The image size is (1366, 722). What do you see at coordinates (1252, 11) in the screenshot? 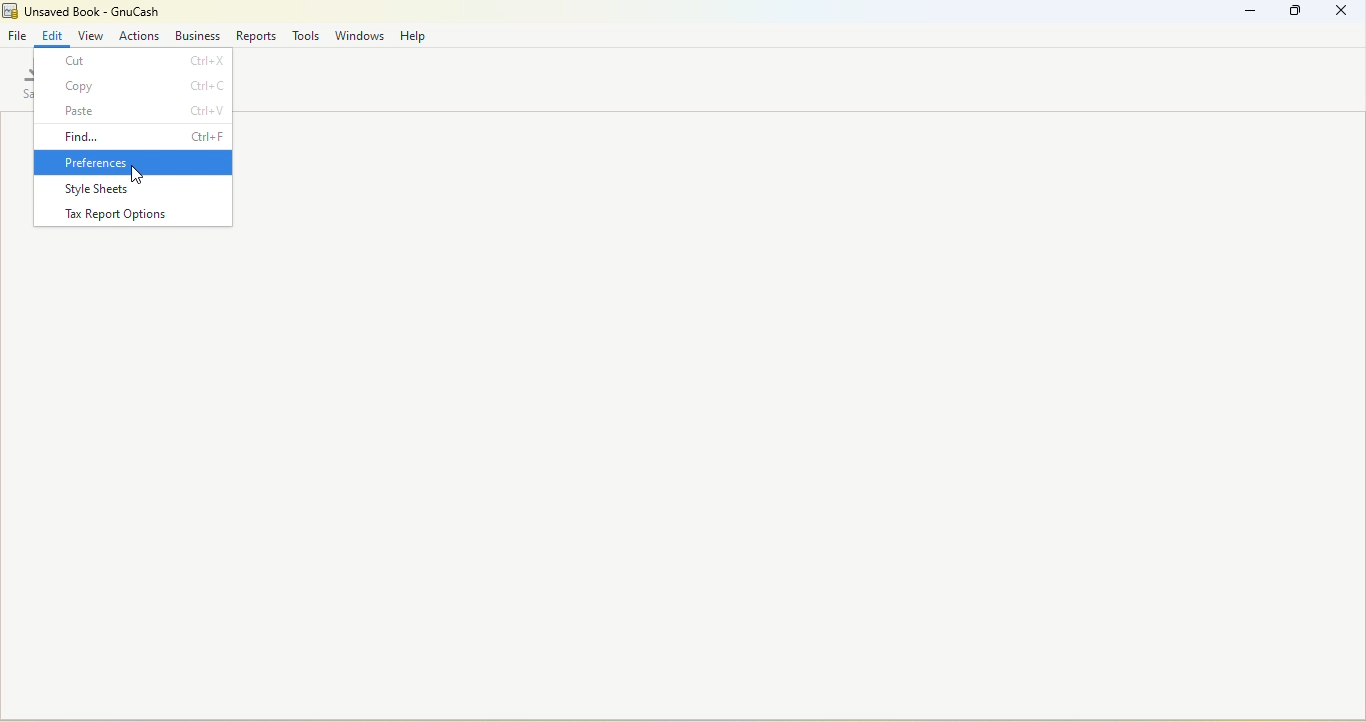
I see `Minimize` at bounding box center [1252, 11].